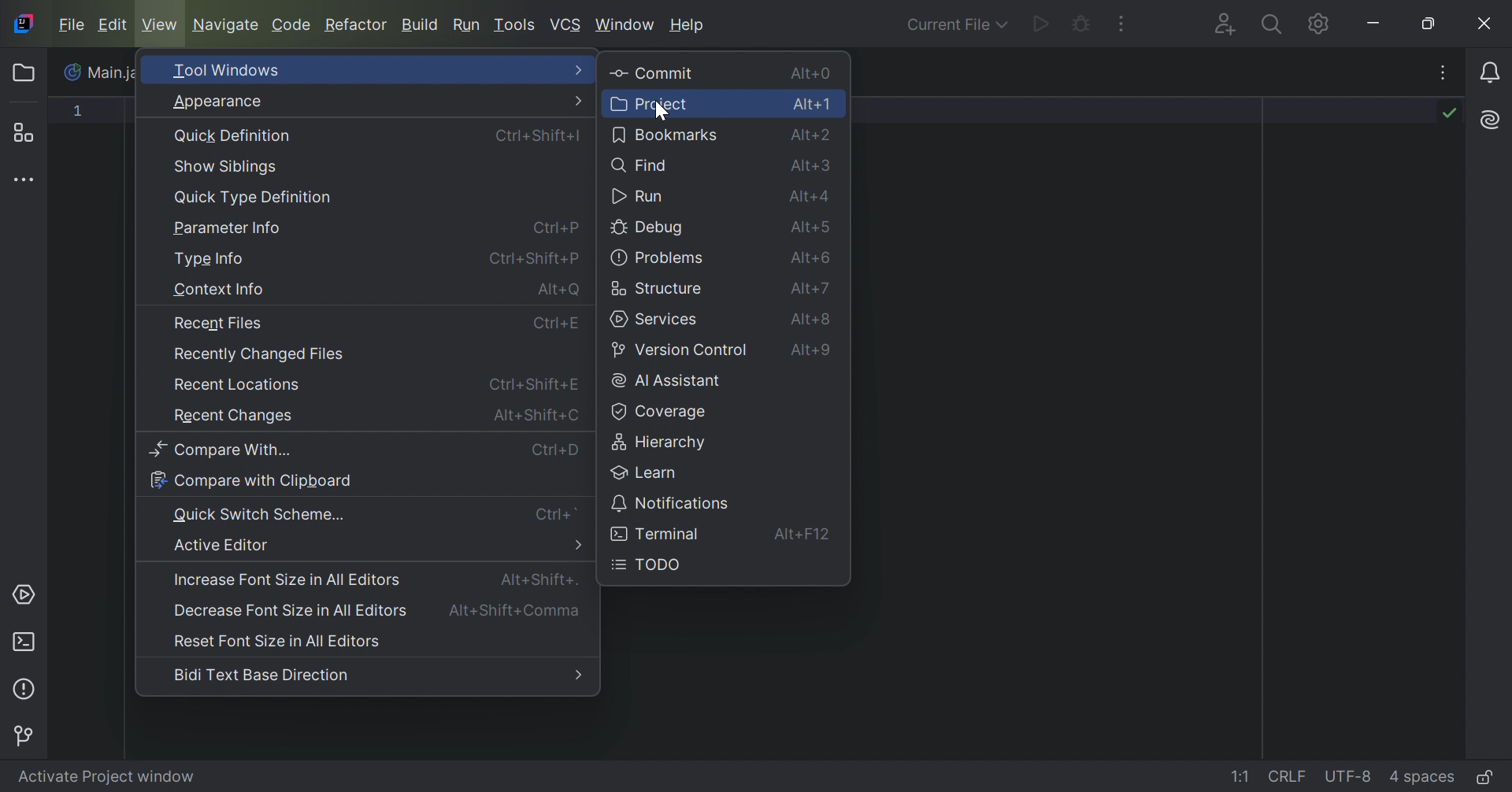 The width and height of the screenshot is (1512, 792). I want to click on Type Info, so click(209, 260).